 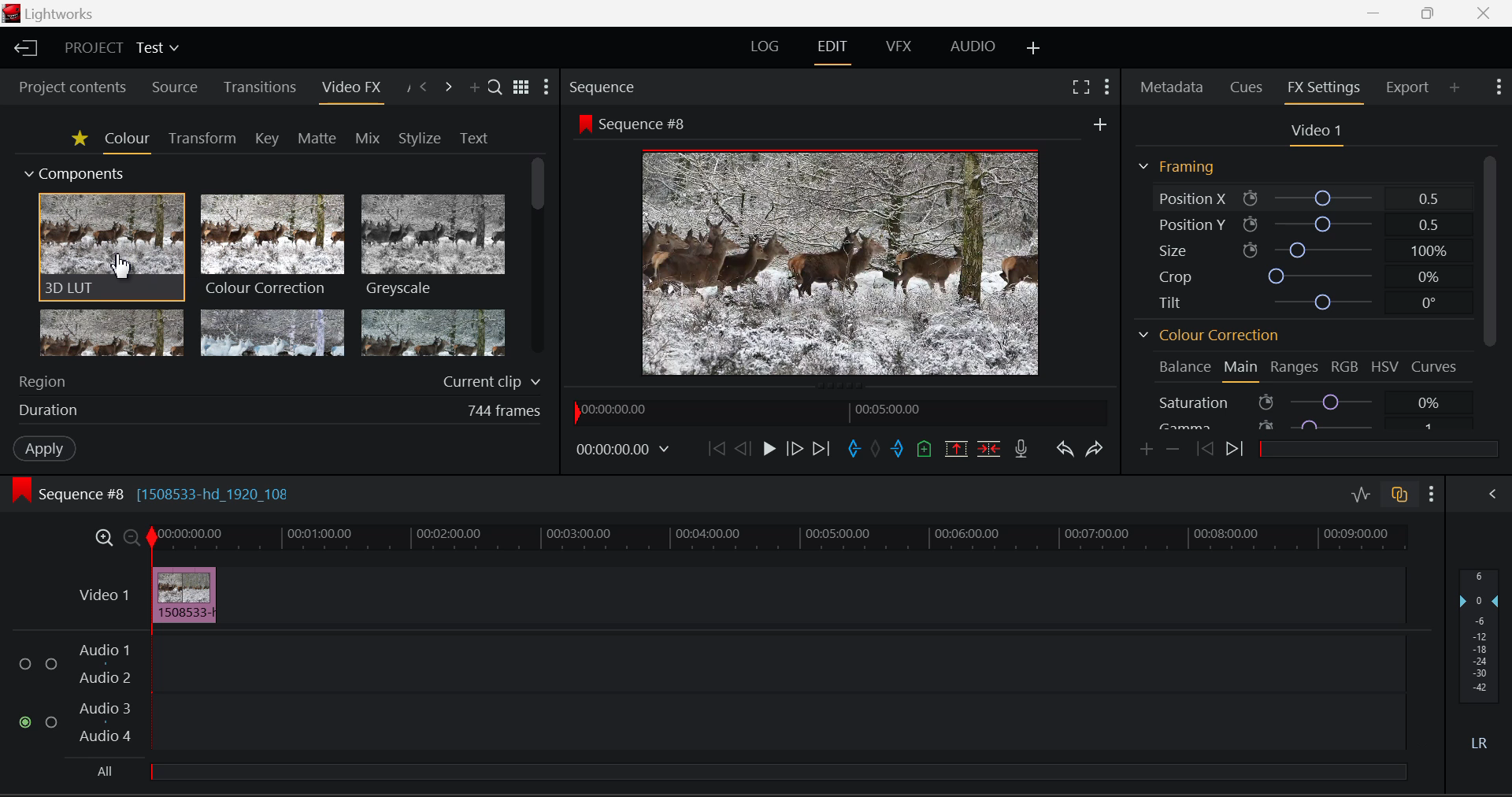 What do you see at coordinates (1021, 449) in the screenshot?
I see `Record Voiceover` at bounding box center [1021, 449].